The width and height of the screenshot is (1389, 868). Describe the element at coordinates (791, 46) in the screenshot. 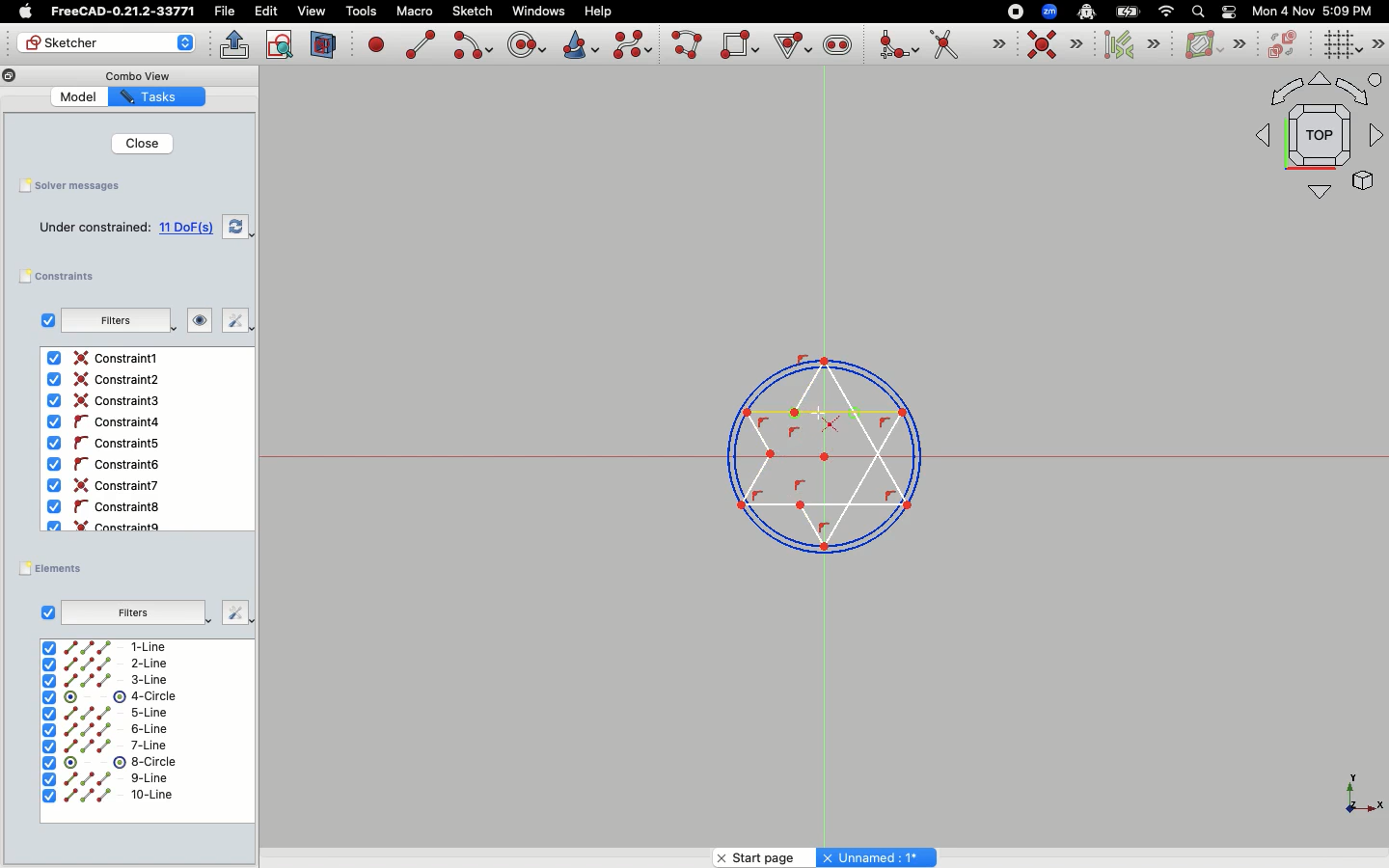

I see `Create Regular Polygon` at that location.